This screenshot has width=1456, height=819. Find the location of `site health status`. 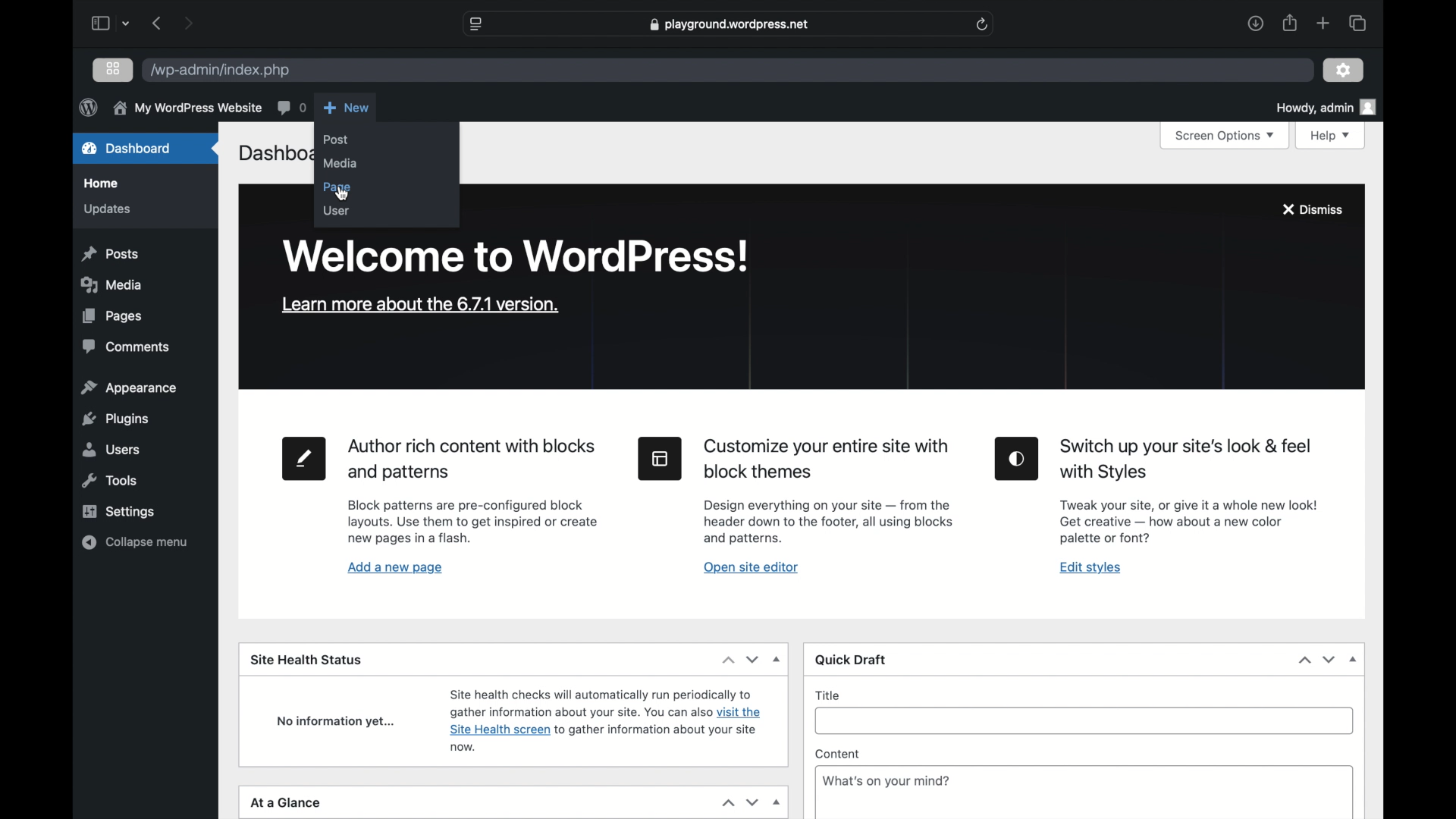

site health status is located at coordinates (306, 661).